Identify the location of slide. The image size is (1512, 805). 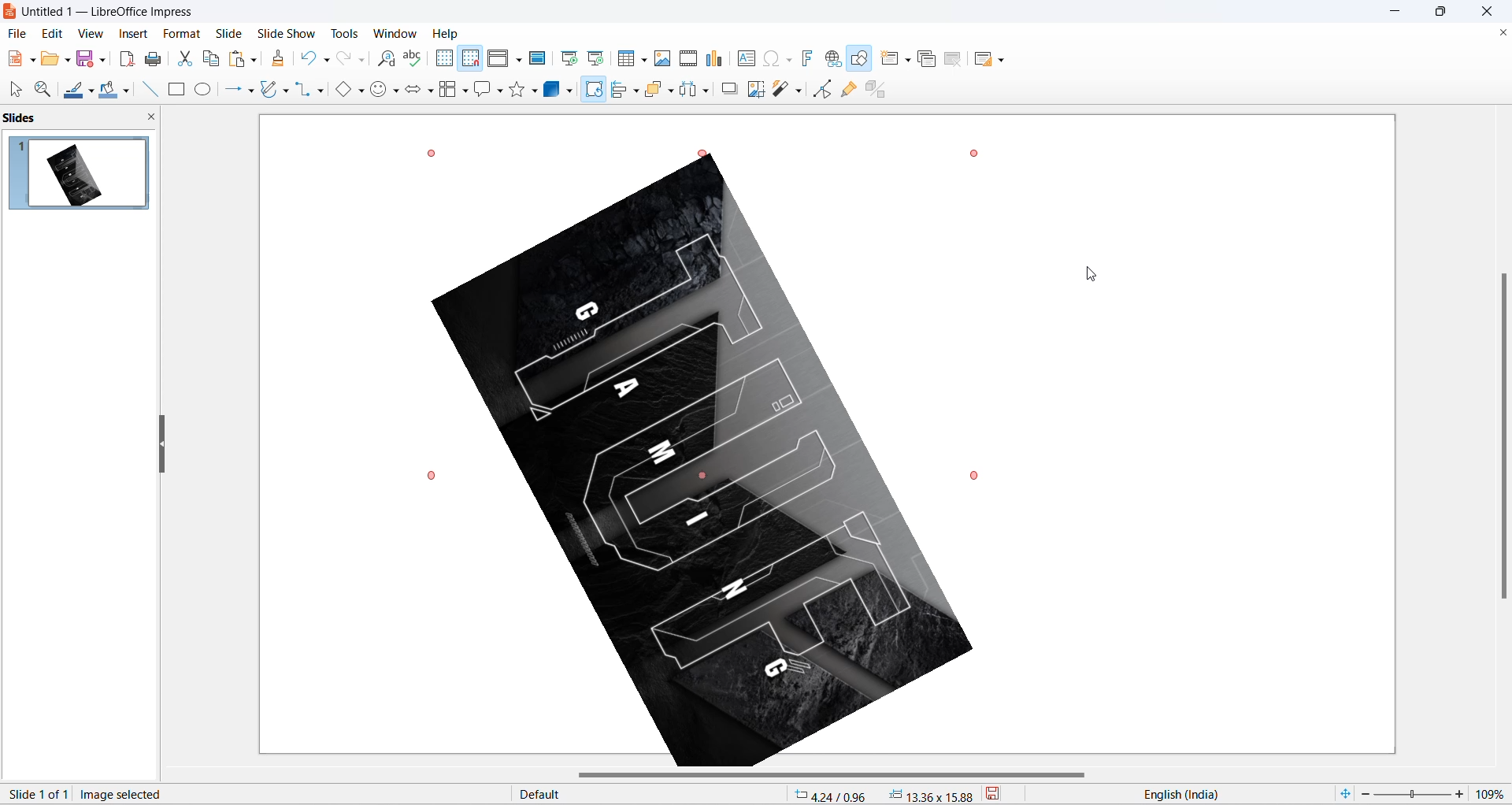
(229, 33).